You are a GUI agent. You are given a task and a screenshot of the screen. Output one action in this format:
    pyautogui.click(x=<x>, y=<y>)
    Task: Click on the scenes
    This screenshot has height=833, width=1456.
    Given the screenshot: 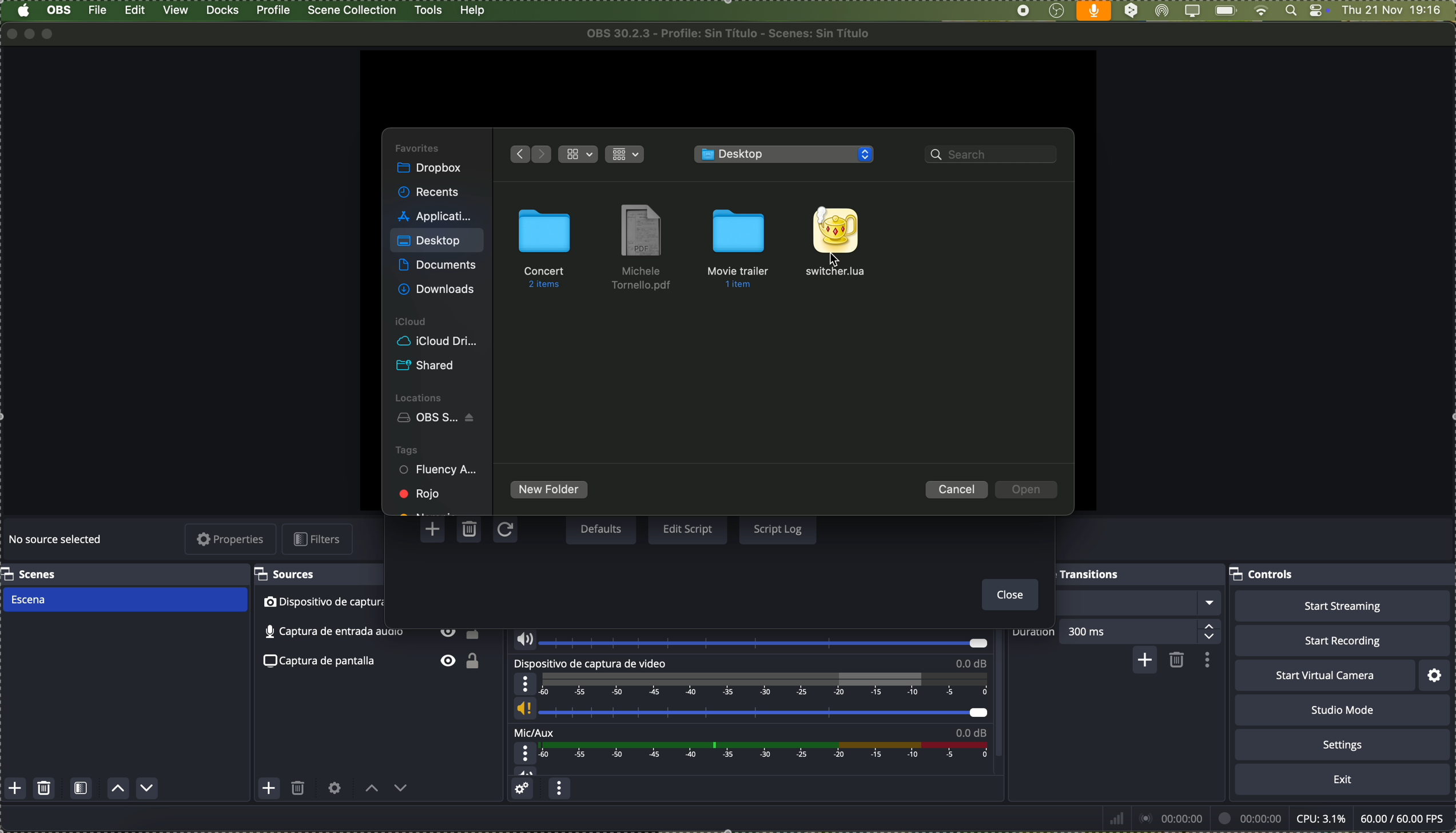 What is the action you would take?
    pyautogui.click(x=31, y=574)
    